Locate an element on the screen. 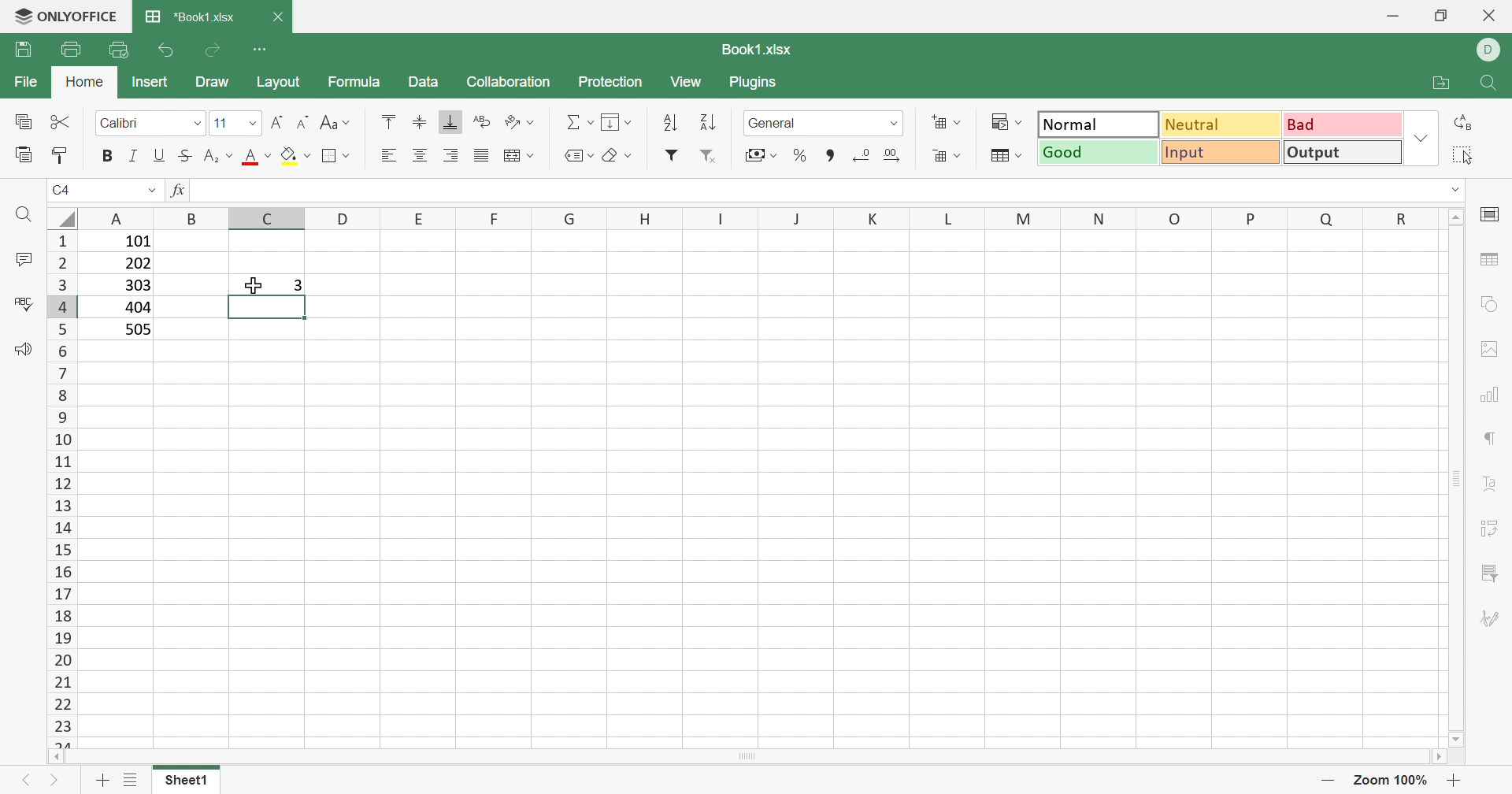 The width and height of the screenshot is (1512, 794). Scroll Down is located at coordinates (1451, 735).